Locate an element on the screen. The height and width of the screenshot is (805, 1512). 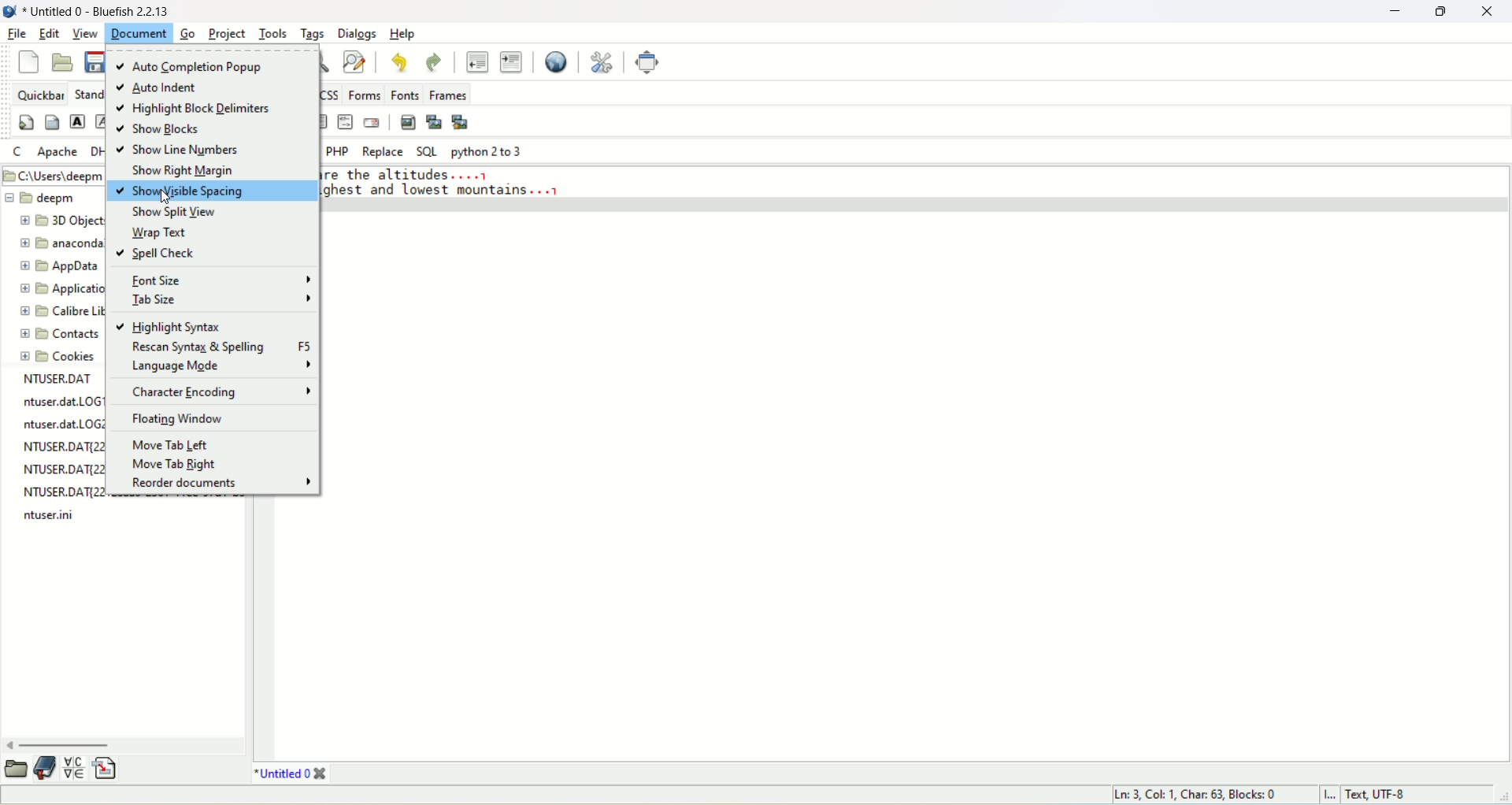
tools is located at coordinates (272, 34).